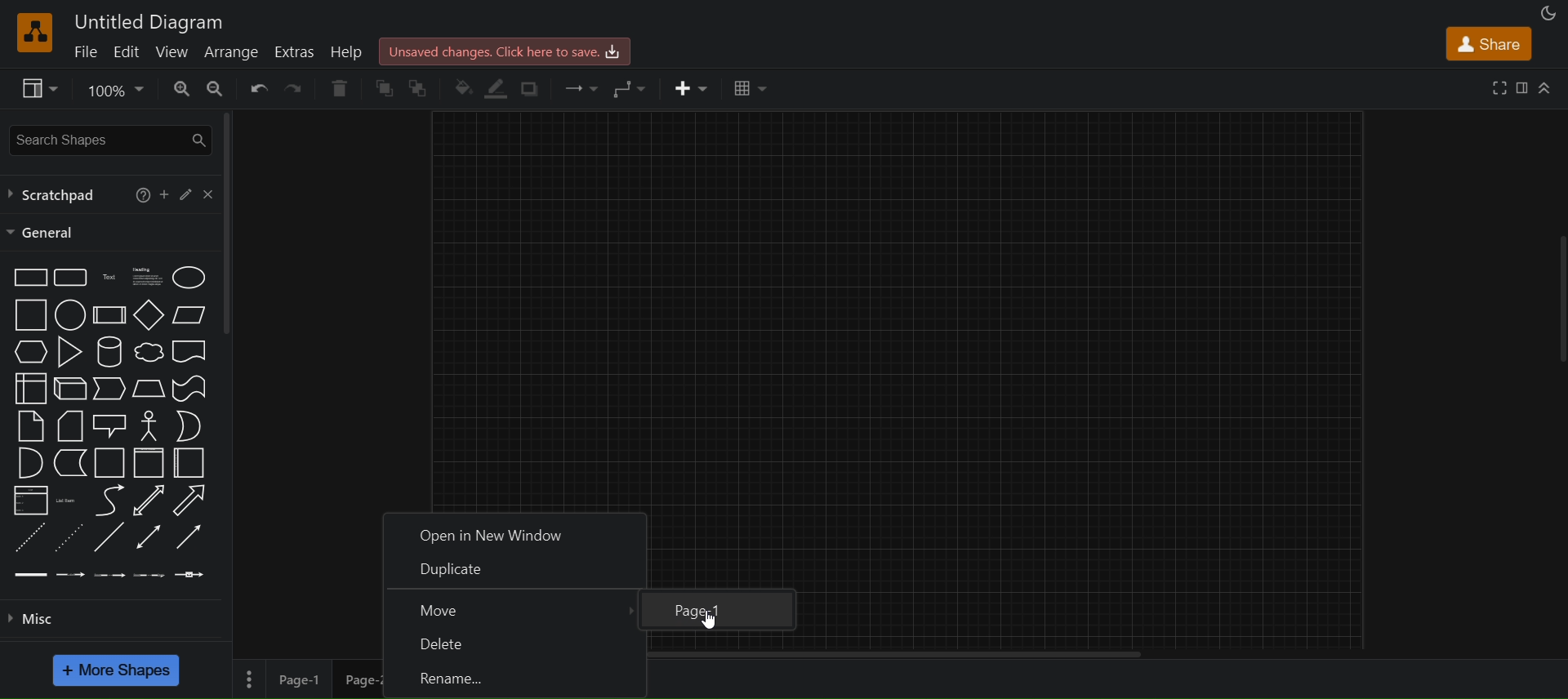 The height and width of the screenshot is (699, 1568). What do you see at coordinates (119, 89) in the screenshot?
I see `zoom` at bounding box center [119, 89].